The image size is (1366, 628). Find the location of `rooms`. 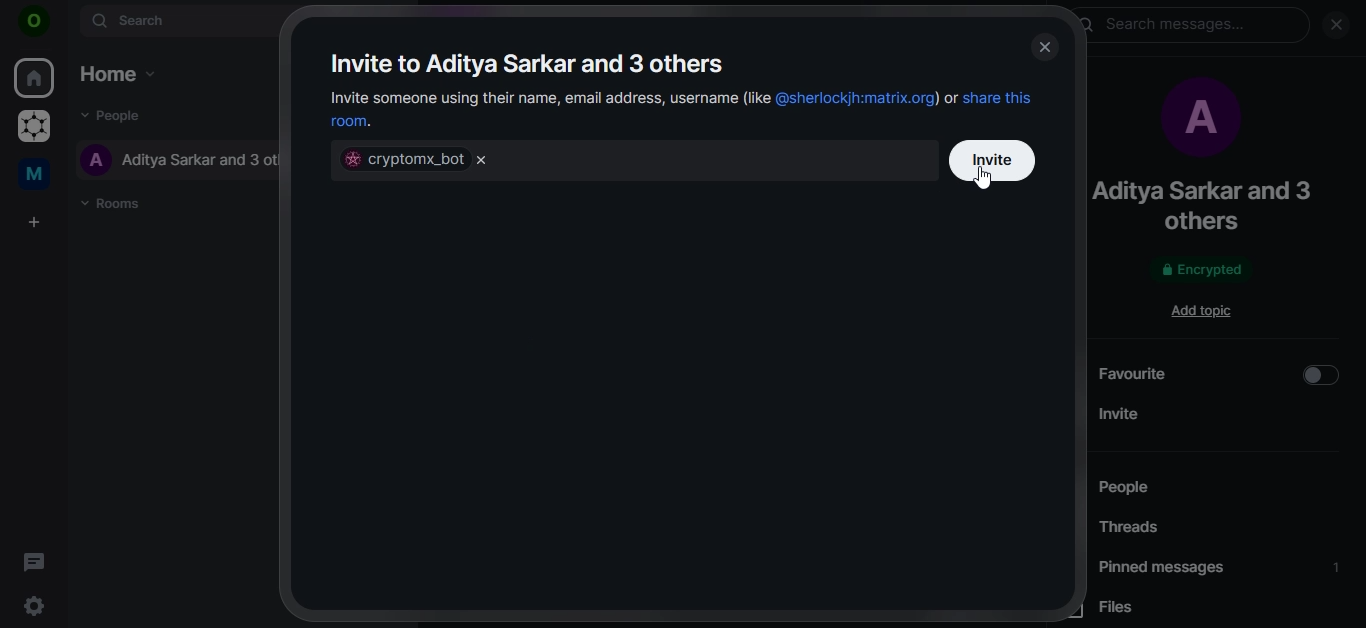

rooms is located at coordinates (115, 202).